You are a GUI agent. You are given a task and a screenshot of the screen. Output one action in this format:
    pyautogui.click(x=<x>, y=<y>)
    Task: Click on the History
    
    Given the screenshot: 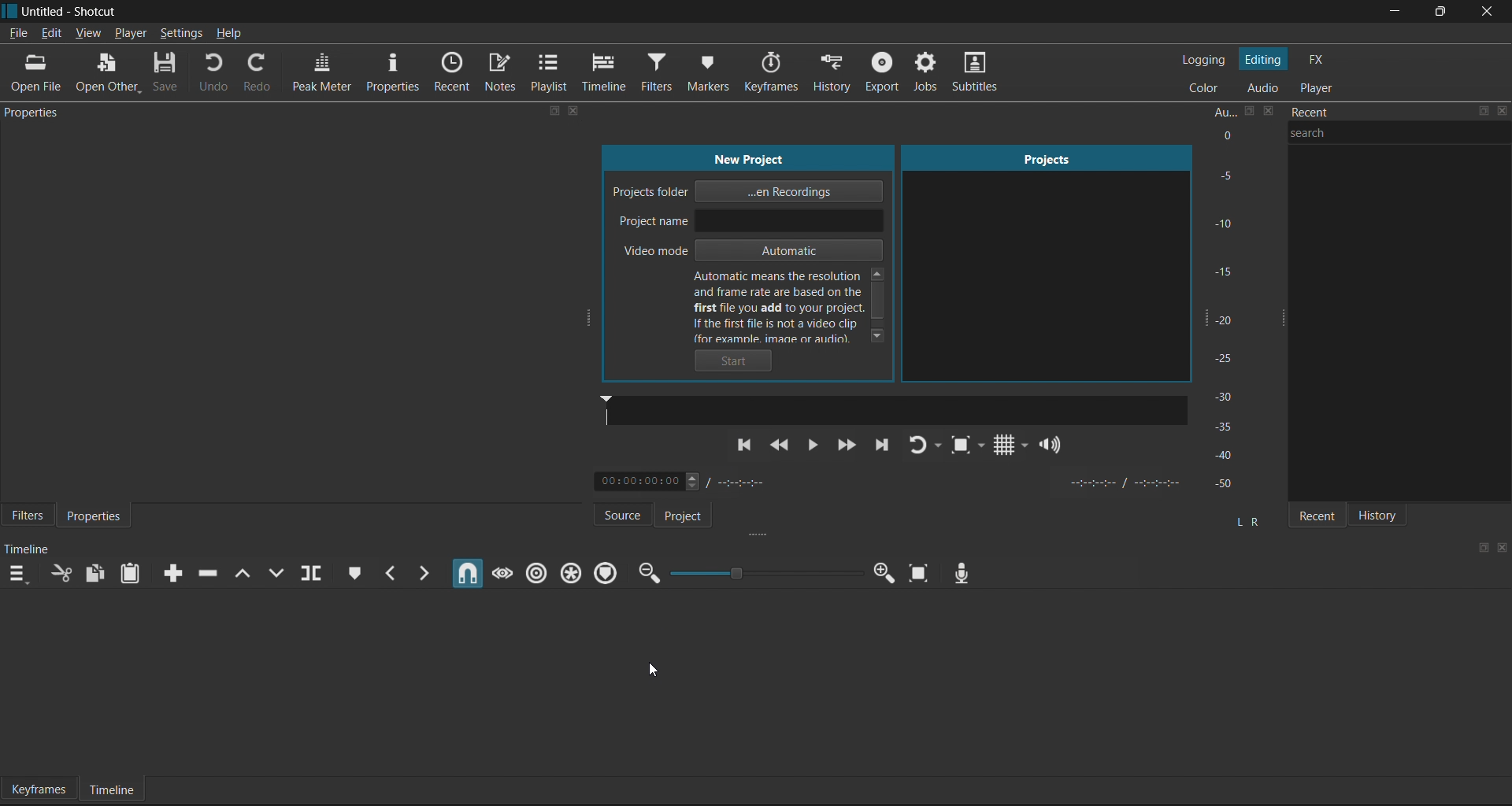 What is the action you would take?
    pyautogui.click(x=1385, y=513)
    